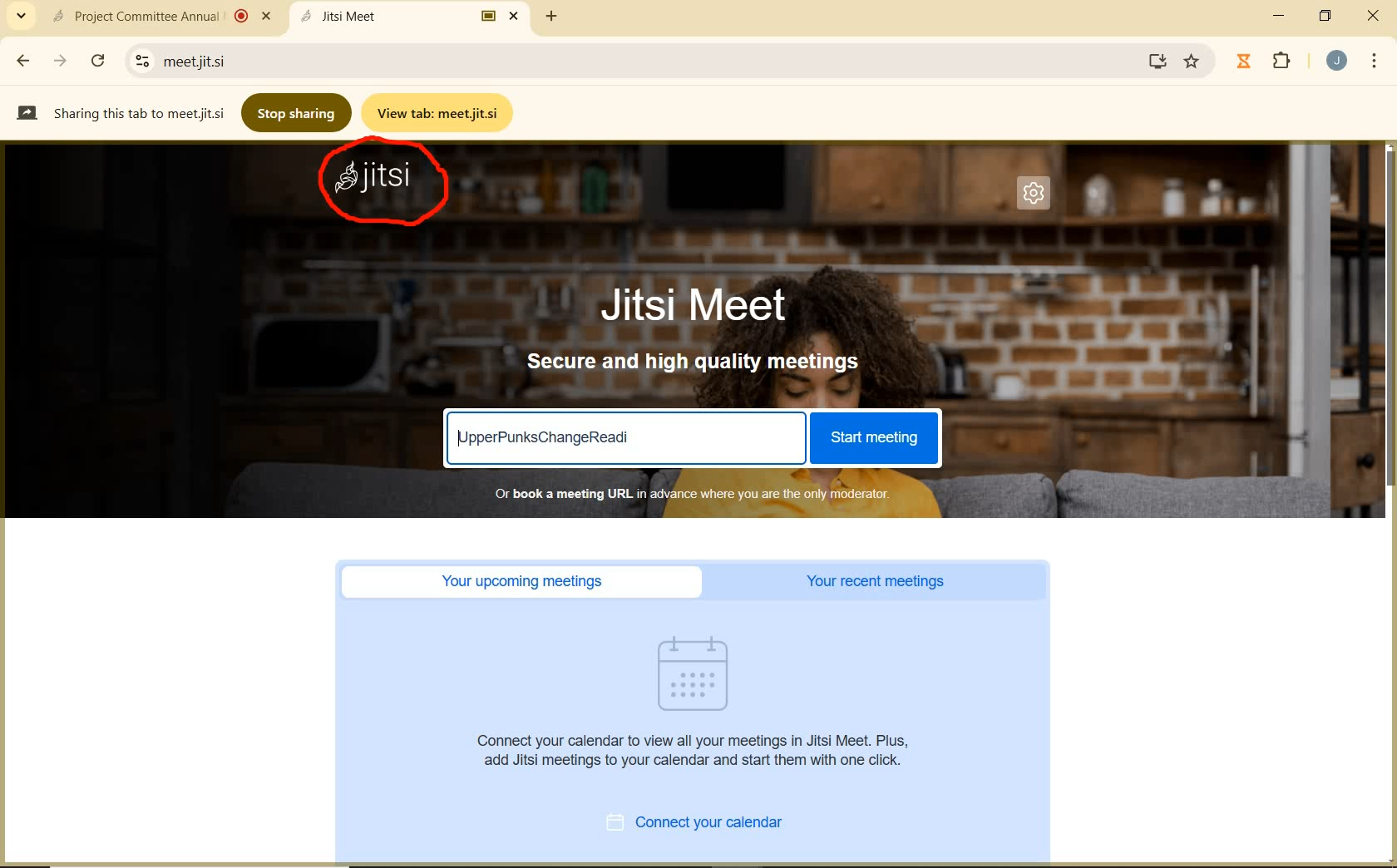 This screenshot has height=868, width=1397. I want to click on Project Committee Annual, so click(159, 16).